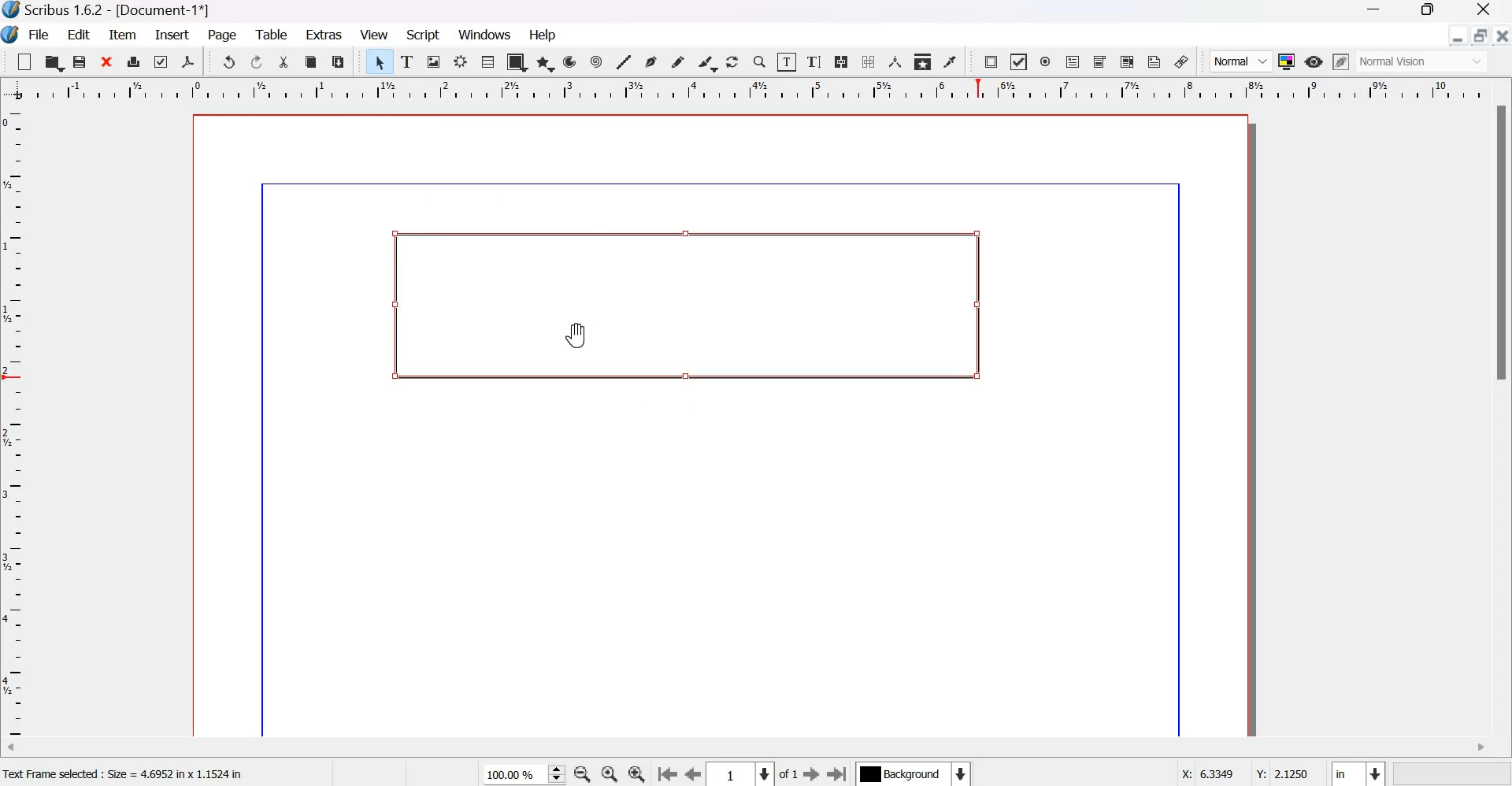 The width and height of the screenshot is (1512, 786). Describe the element at coordinates (667, 775) in the screenshot. I see `go to the previous page` at that location.